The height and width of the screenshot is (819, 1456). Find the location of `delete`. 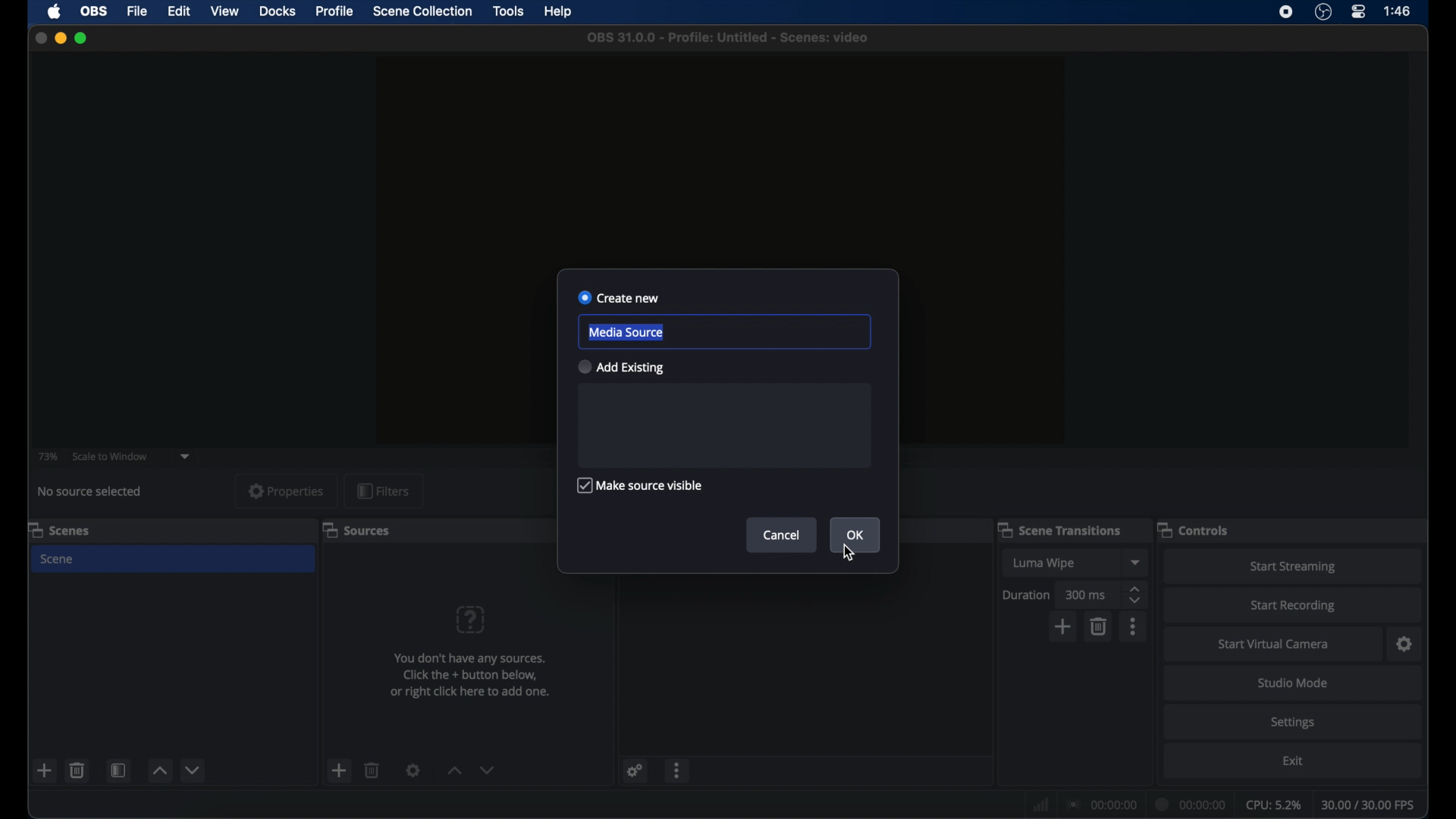

delete is located at coordinates (372, 770).